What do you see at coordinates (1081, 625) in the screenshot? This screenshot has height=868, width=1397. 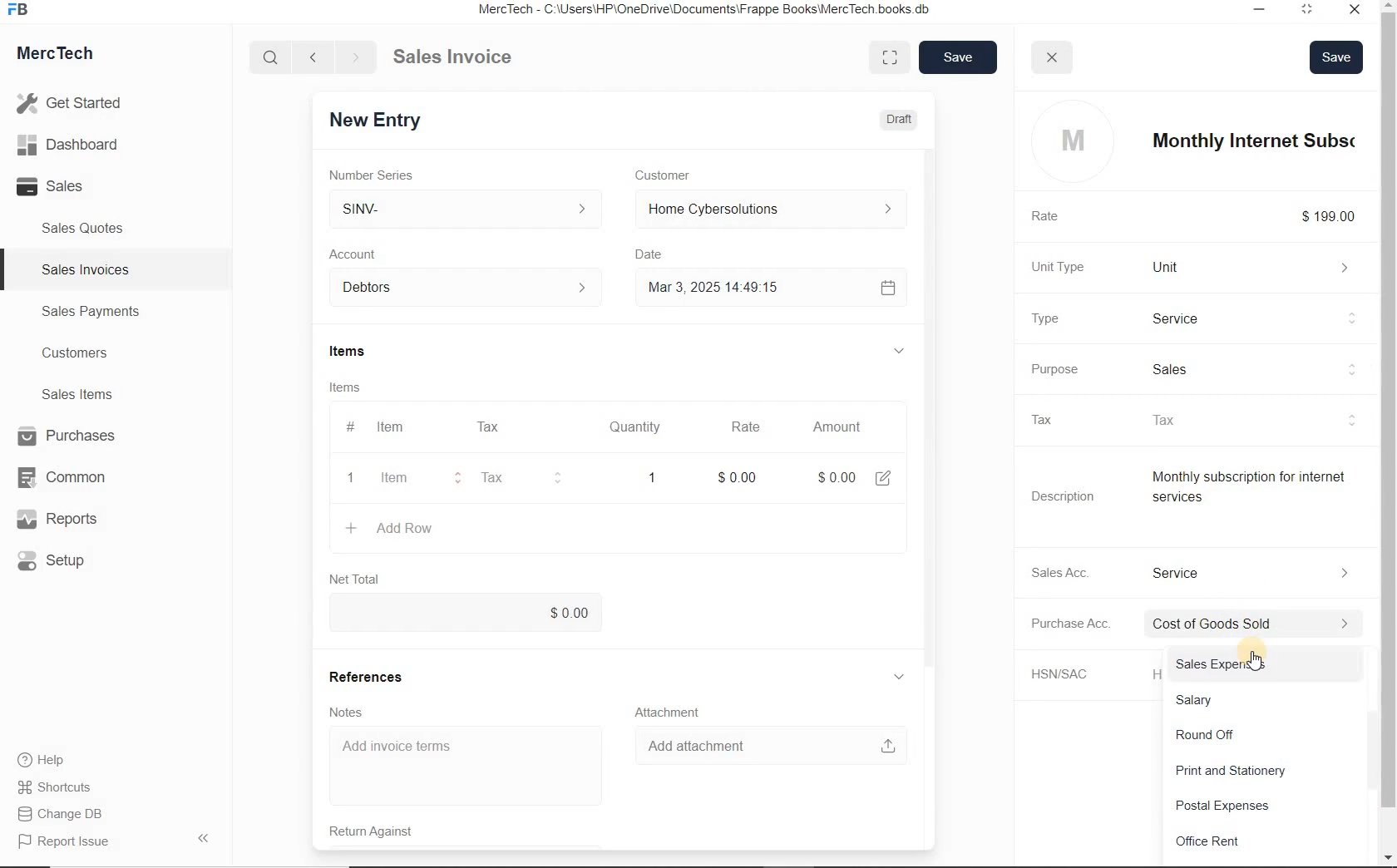 I see `Purchase Acc.` at bounding box center [1081, 625].